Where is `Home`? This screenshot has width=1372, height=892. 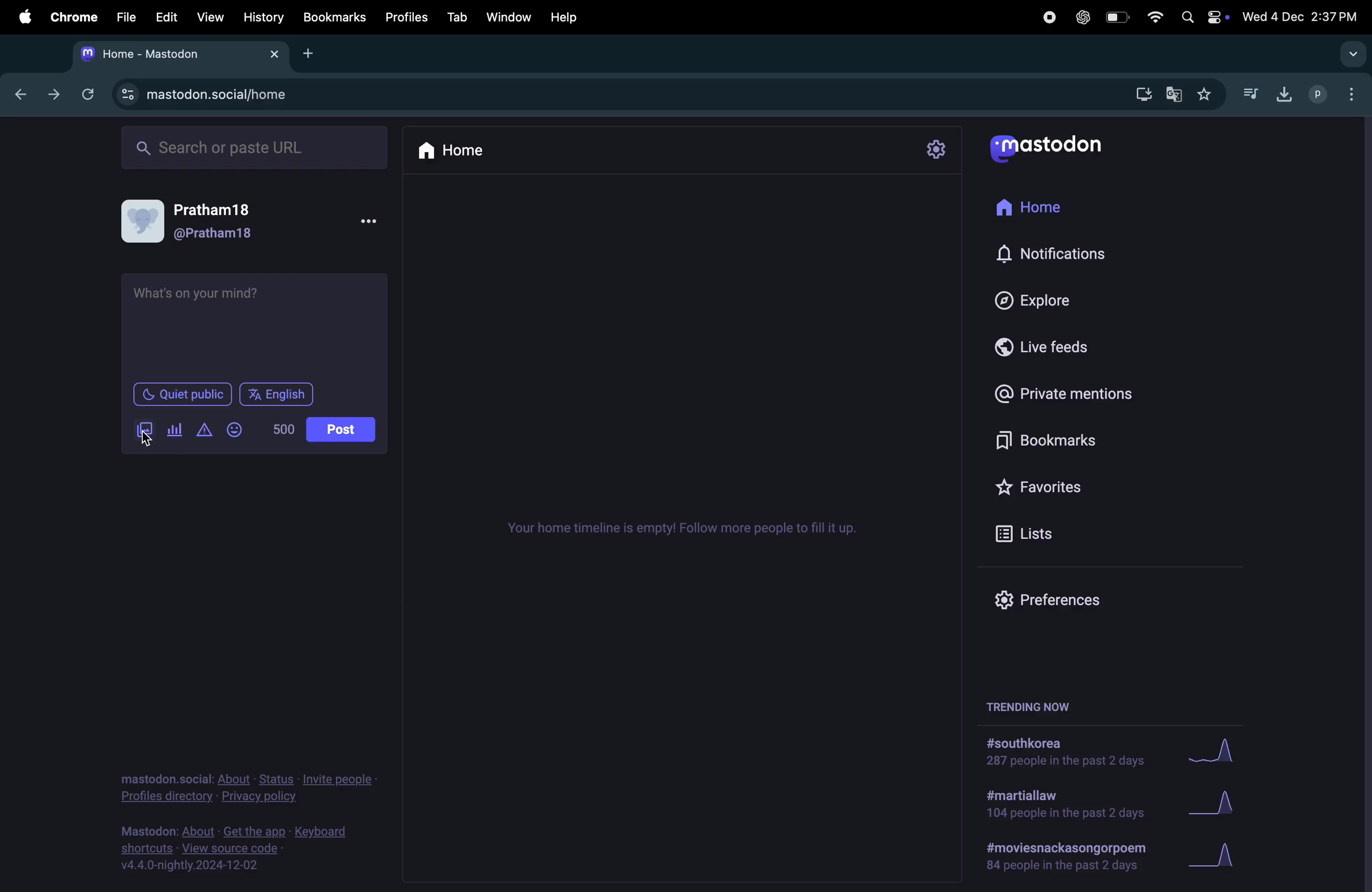
Home is located at coordinates (453, 149).